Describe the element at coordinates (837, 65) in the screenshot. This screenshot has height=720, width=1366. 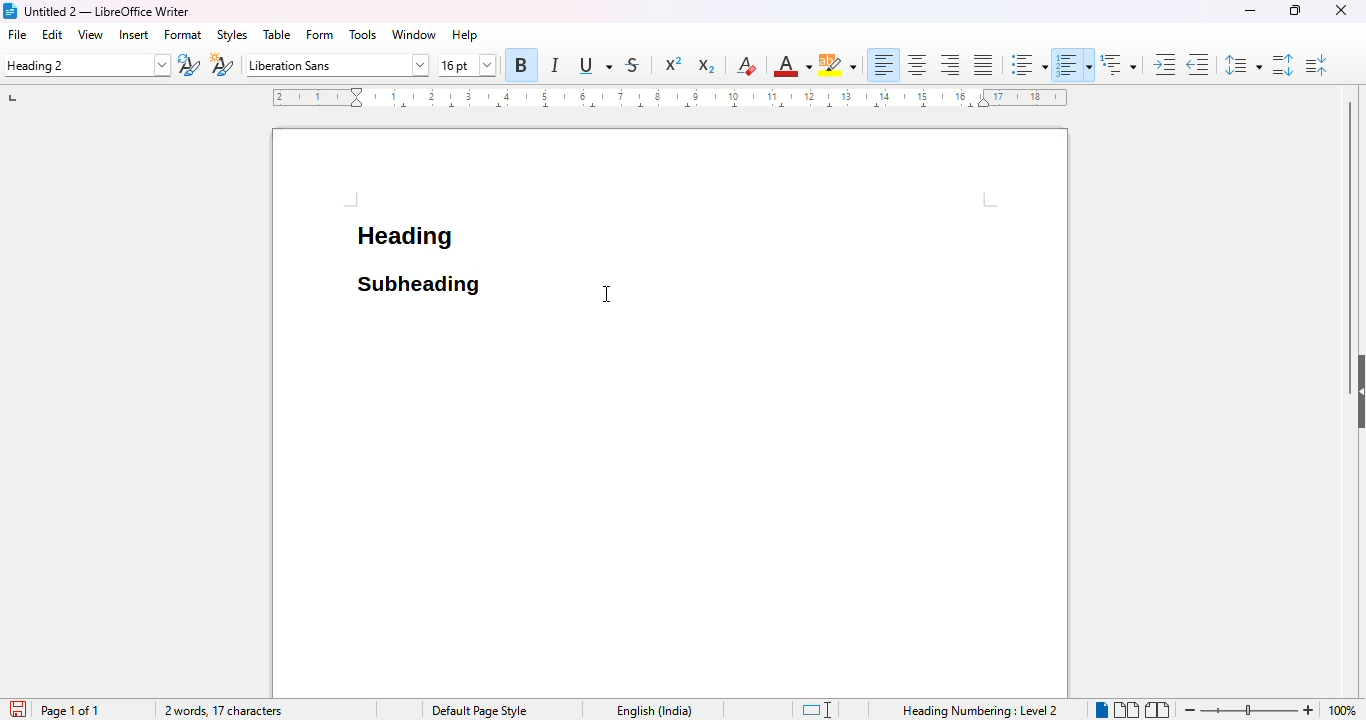
I see `character highlighting color` at that location.